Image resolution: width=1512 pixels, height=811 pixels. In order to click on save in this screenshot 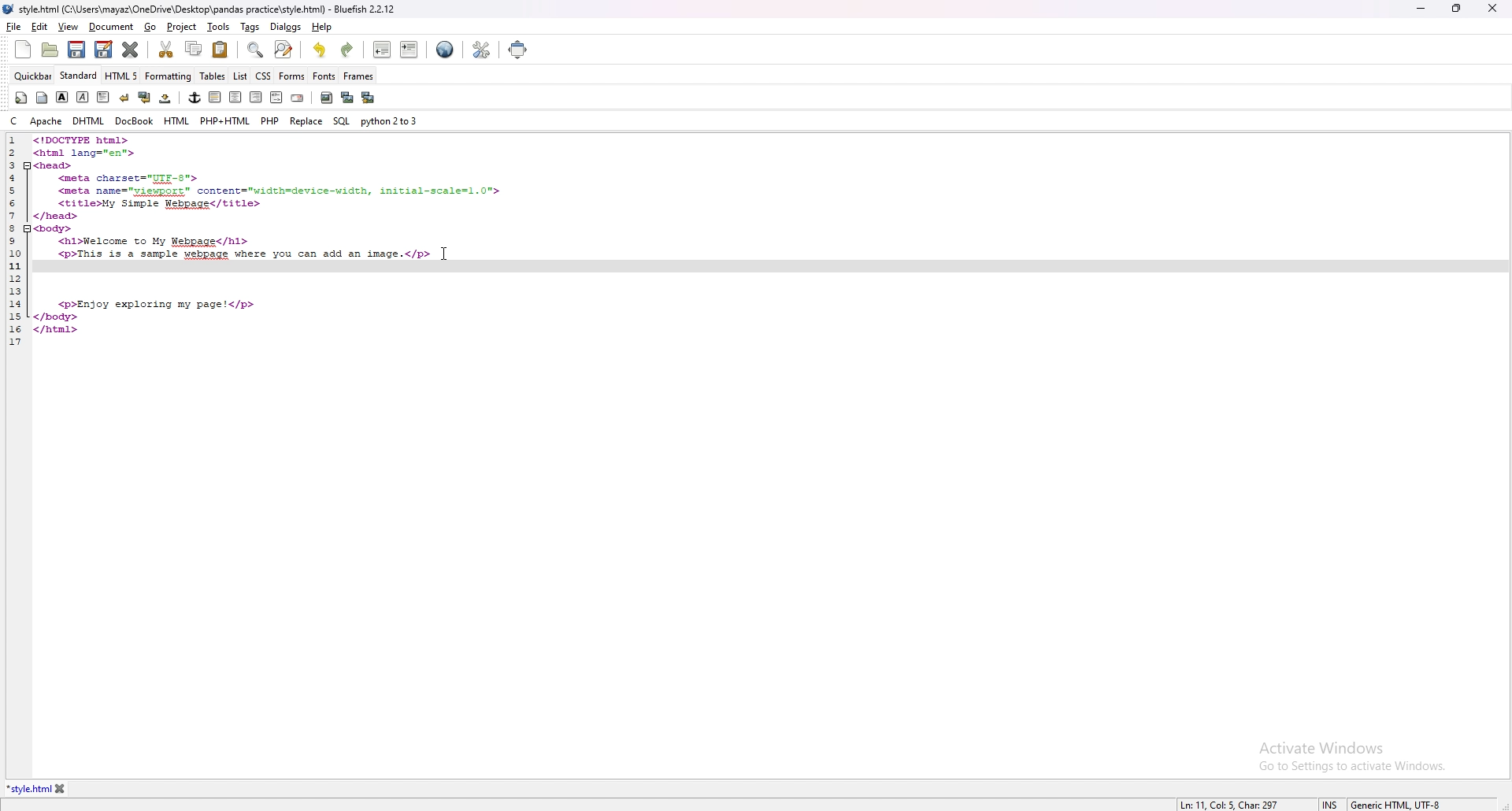, I will do `click(77, 50)`.